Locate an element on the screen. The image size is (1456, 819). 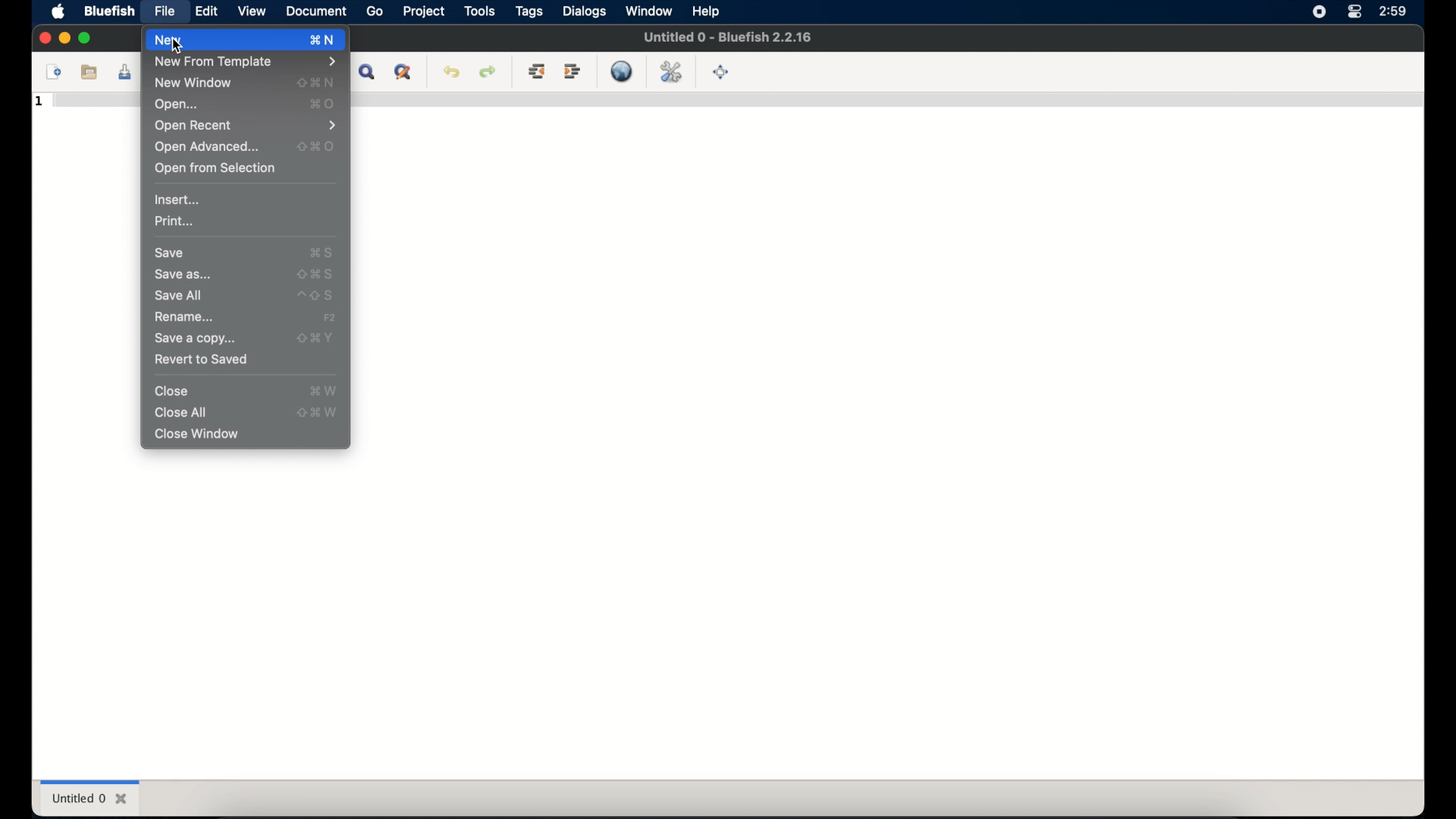
new window shortcut is located at coordinates (316, 83).